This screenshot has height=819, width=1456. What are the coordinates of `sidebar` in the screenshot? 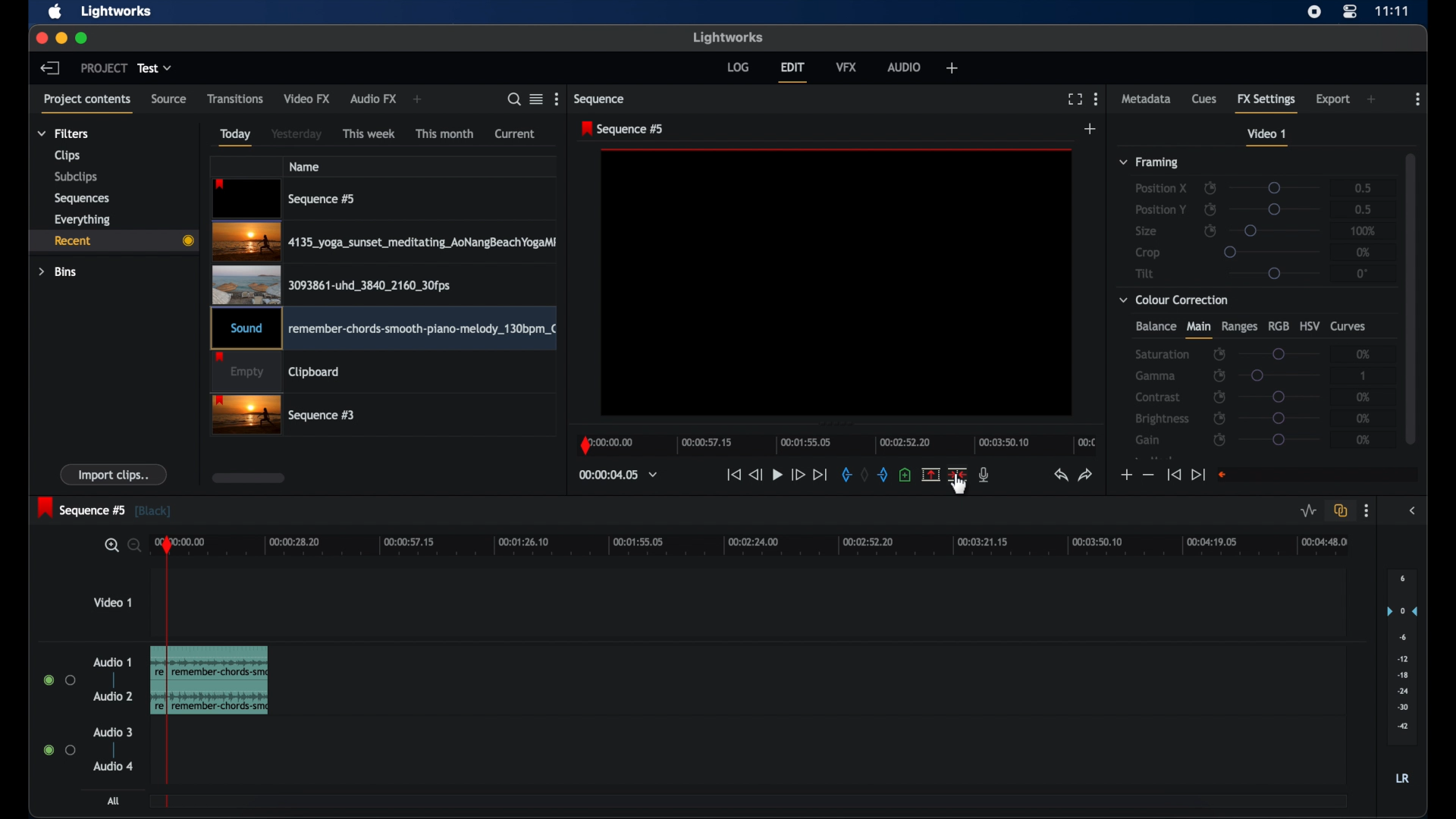 It's located at (1412, 511).